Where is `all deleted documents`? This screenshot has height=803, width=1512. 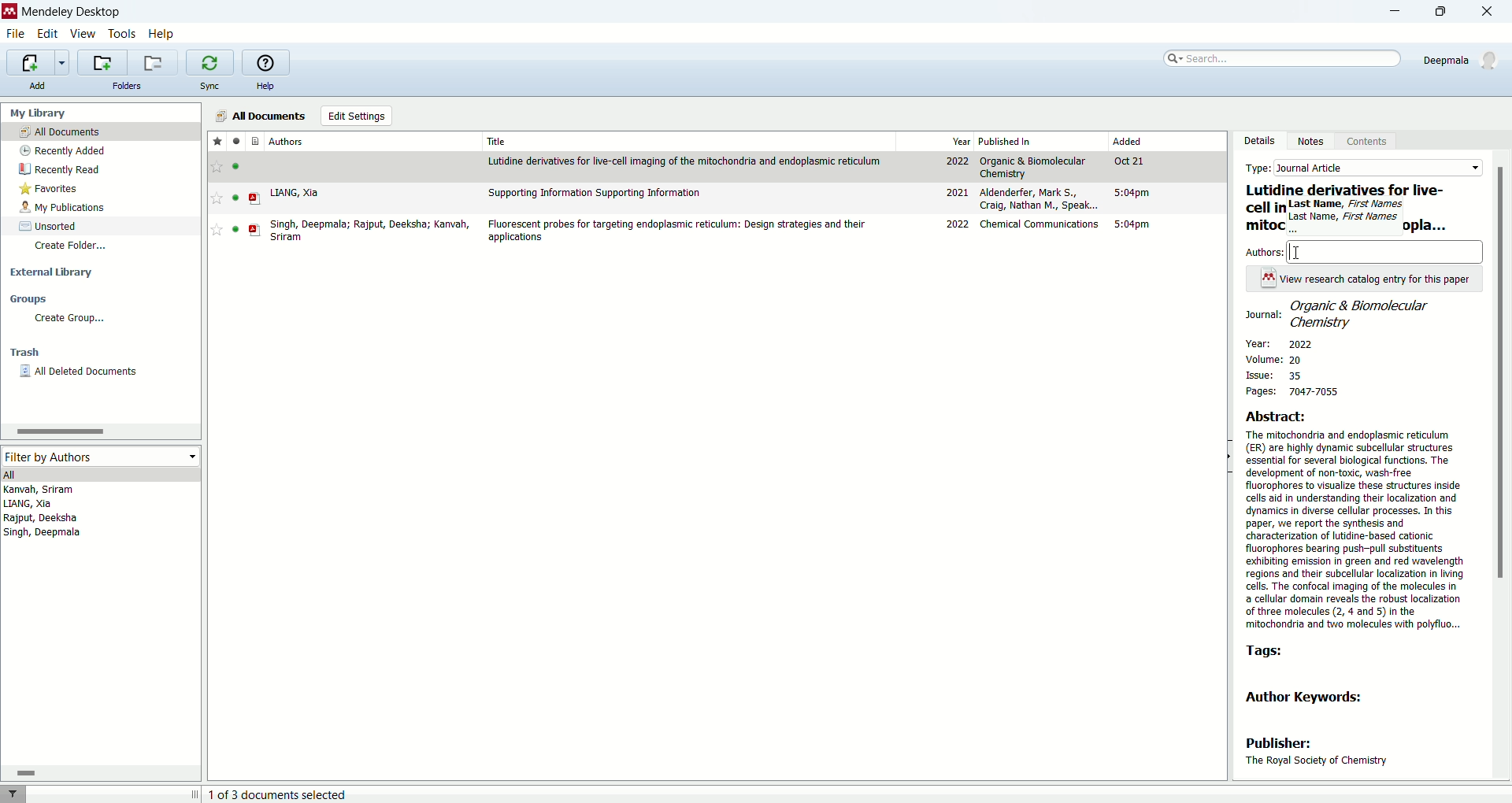 all deleted documents is located at coordinates (77, 371).